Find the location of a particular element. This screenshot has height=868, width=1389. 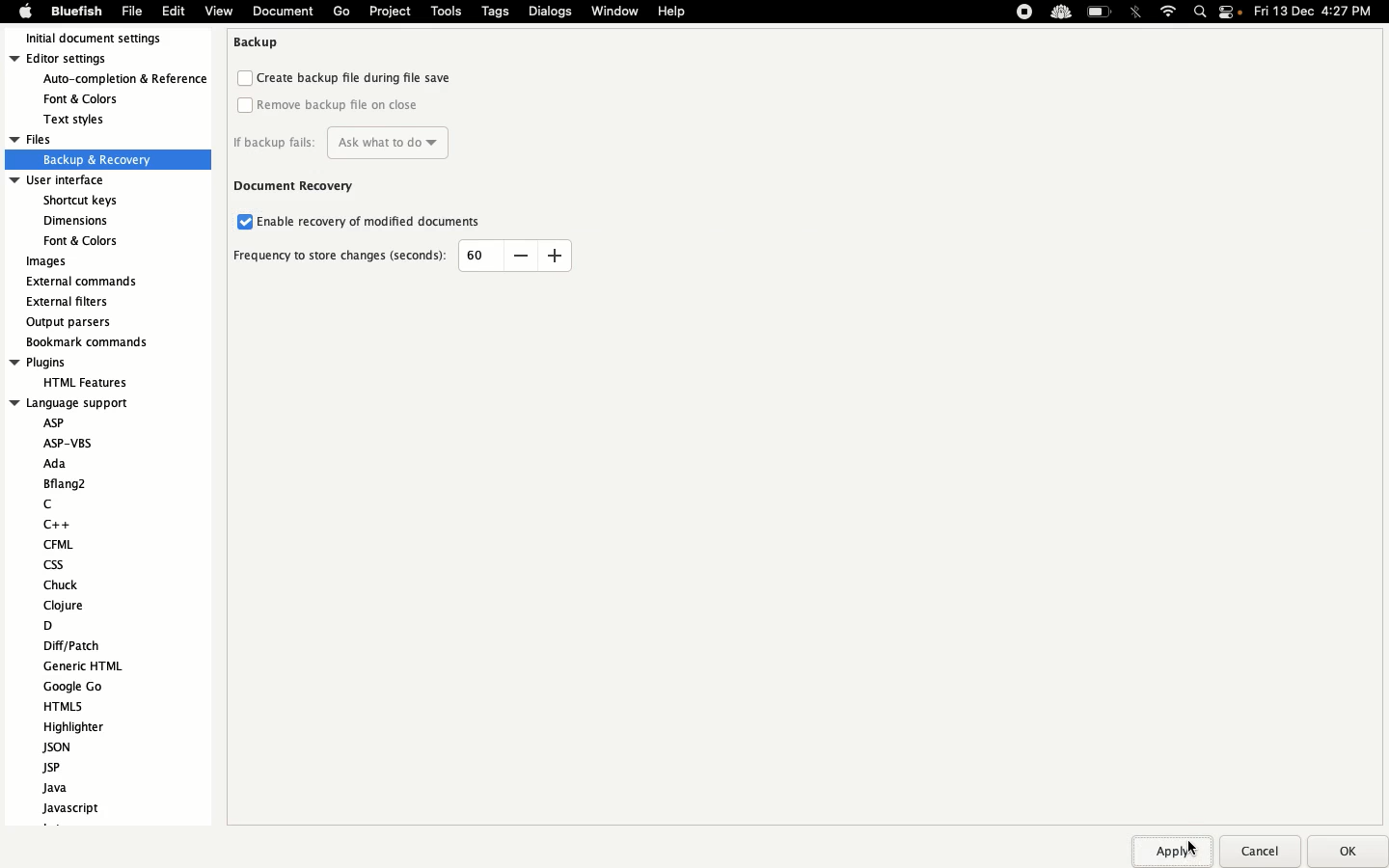

File is located at coordinates (131, 14).